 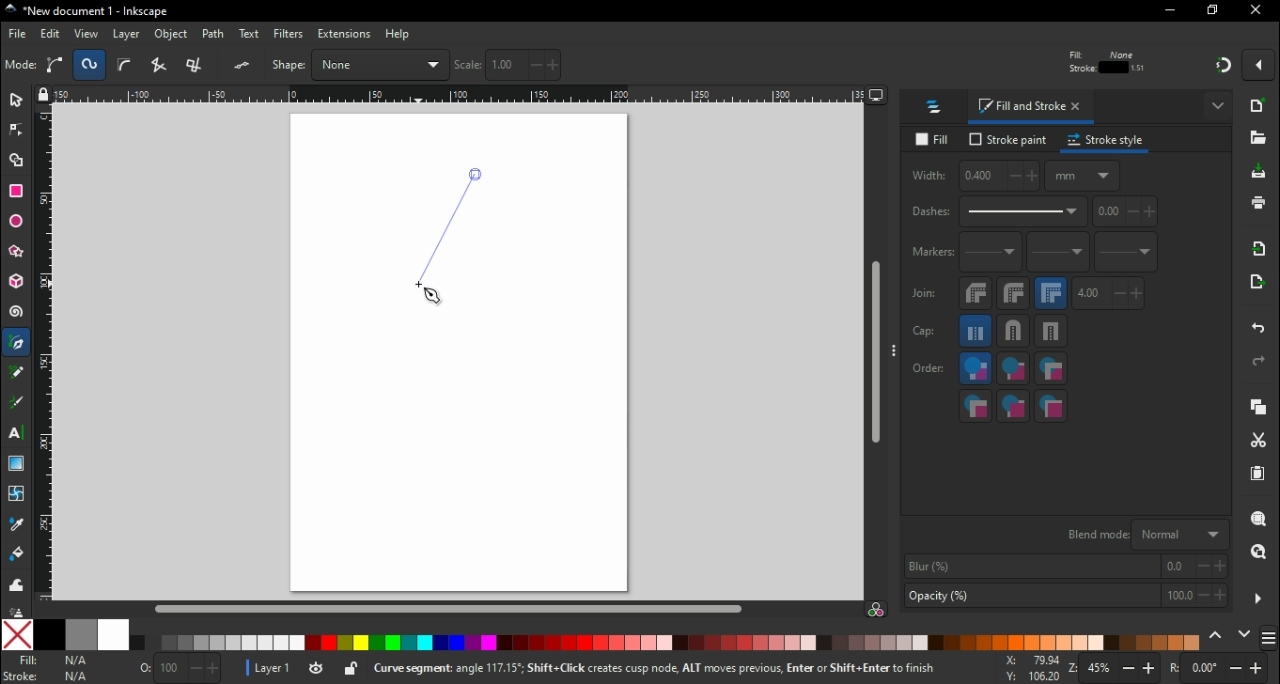 I want to click on fill, markers, stroke, so click(x=1051, y=371).